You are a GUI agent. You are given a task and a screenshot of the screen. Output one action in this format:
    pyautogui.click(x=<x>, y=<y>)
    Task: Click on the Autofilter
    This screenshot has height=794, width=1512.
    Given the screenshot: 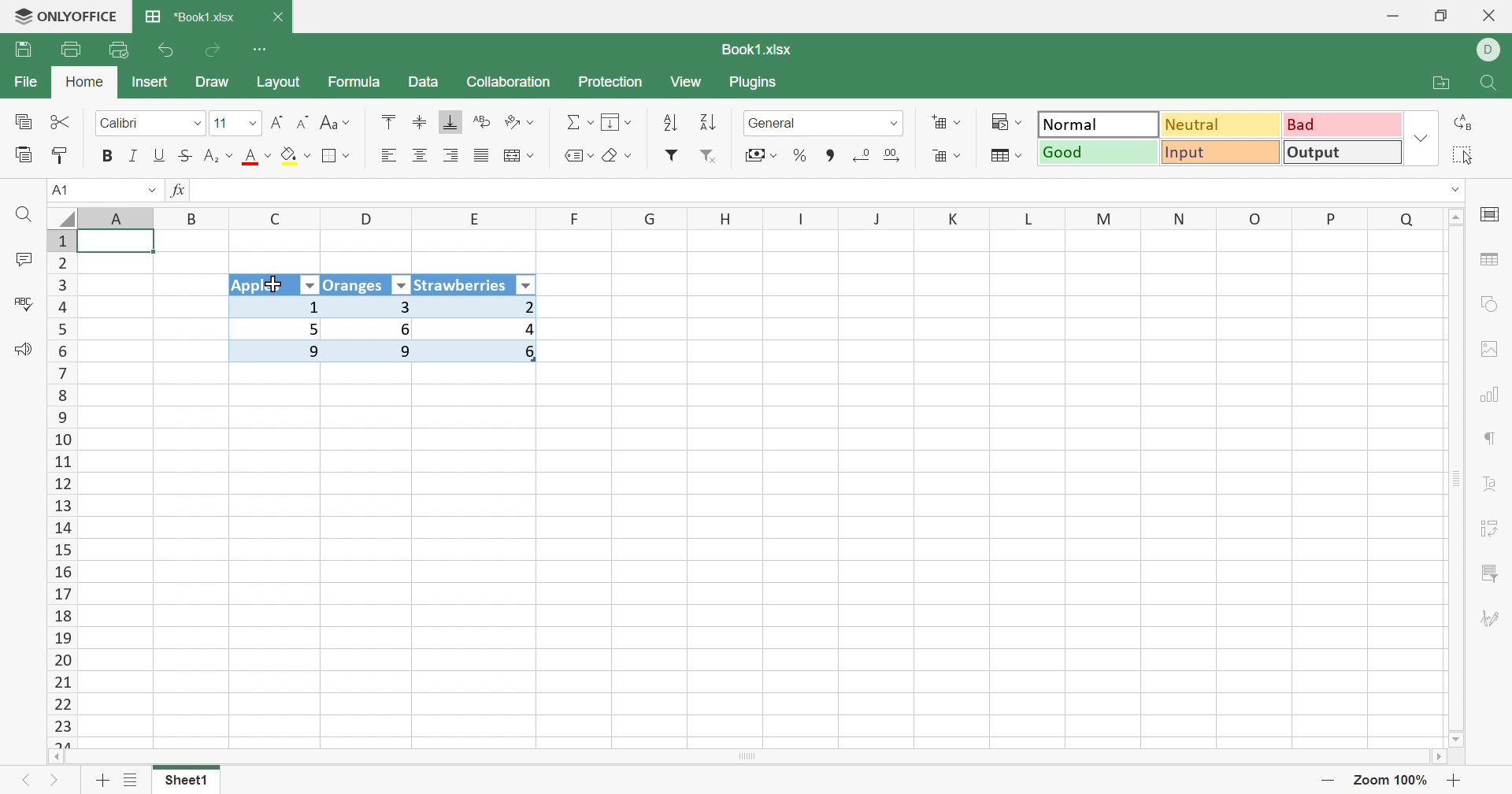 What is the action you would take?
    pyautogui.click(x=528, y=284)
    